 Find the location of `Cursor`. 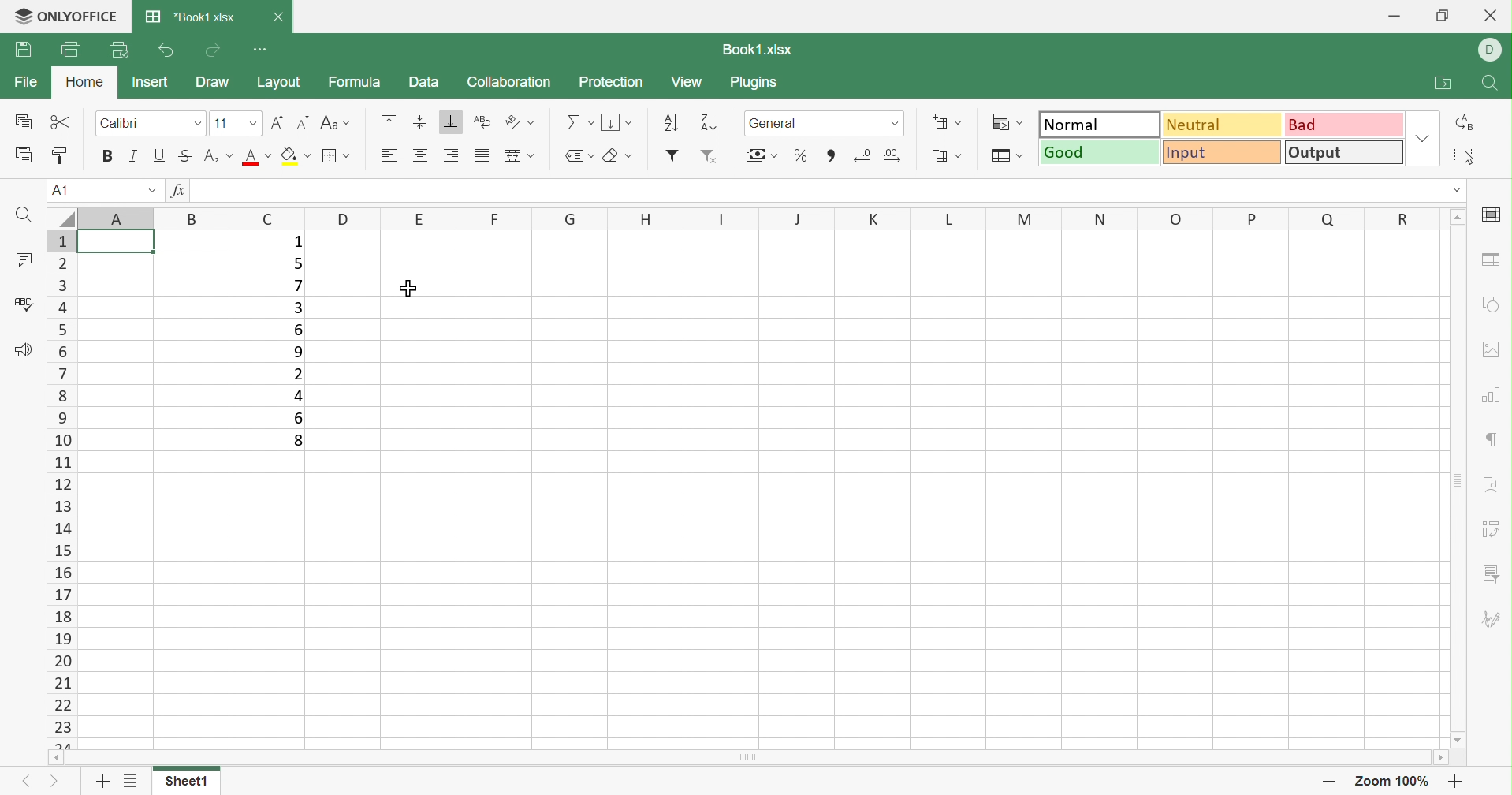

Cursor is located at coordinates (420, 285).